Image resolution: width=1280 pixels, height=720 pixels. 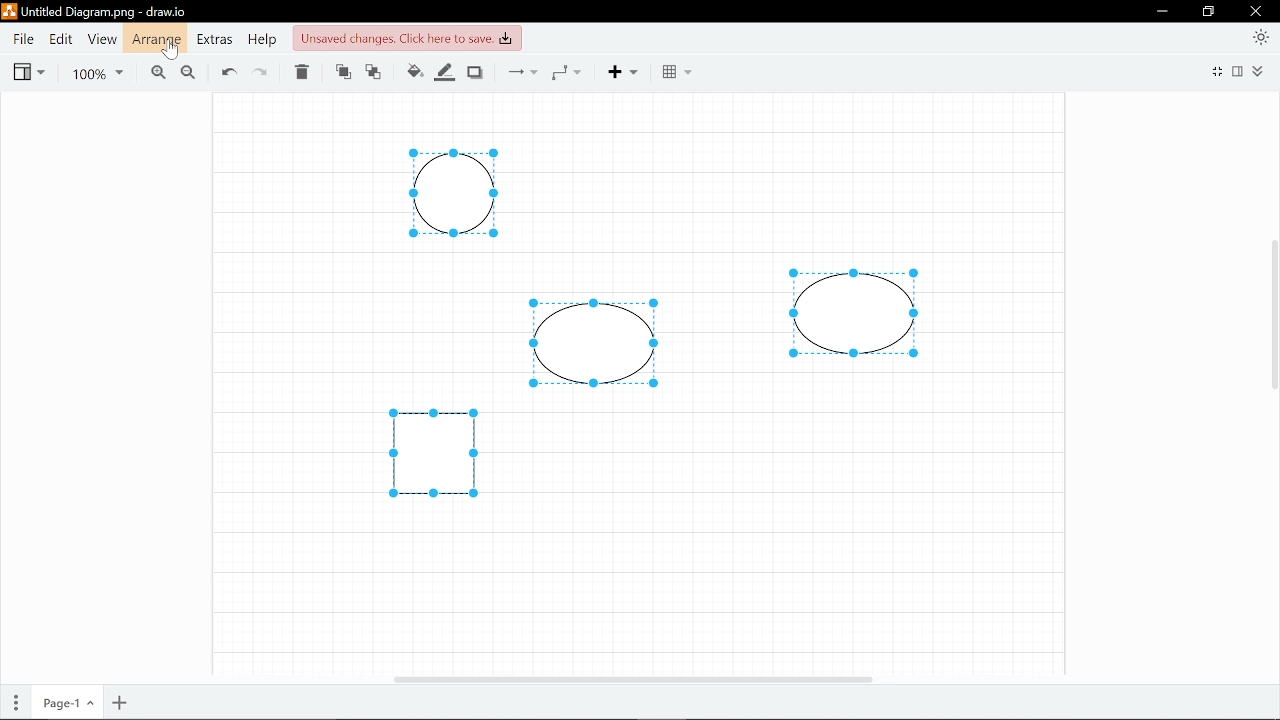 I want to click on Shadow, so click(x=478, y=71).